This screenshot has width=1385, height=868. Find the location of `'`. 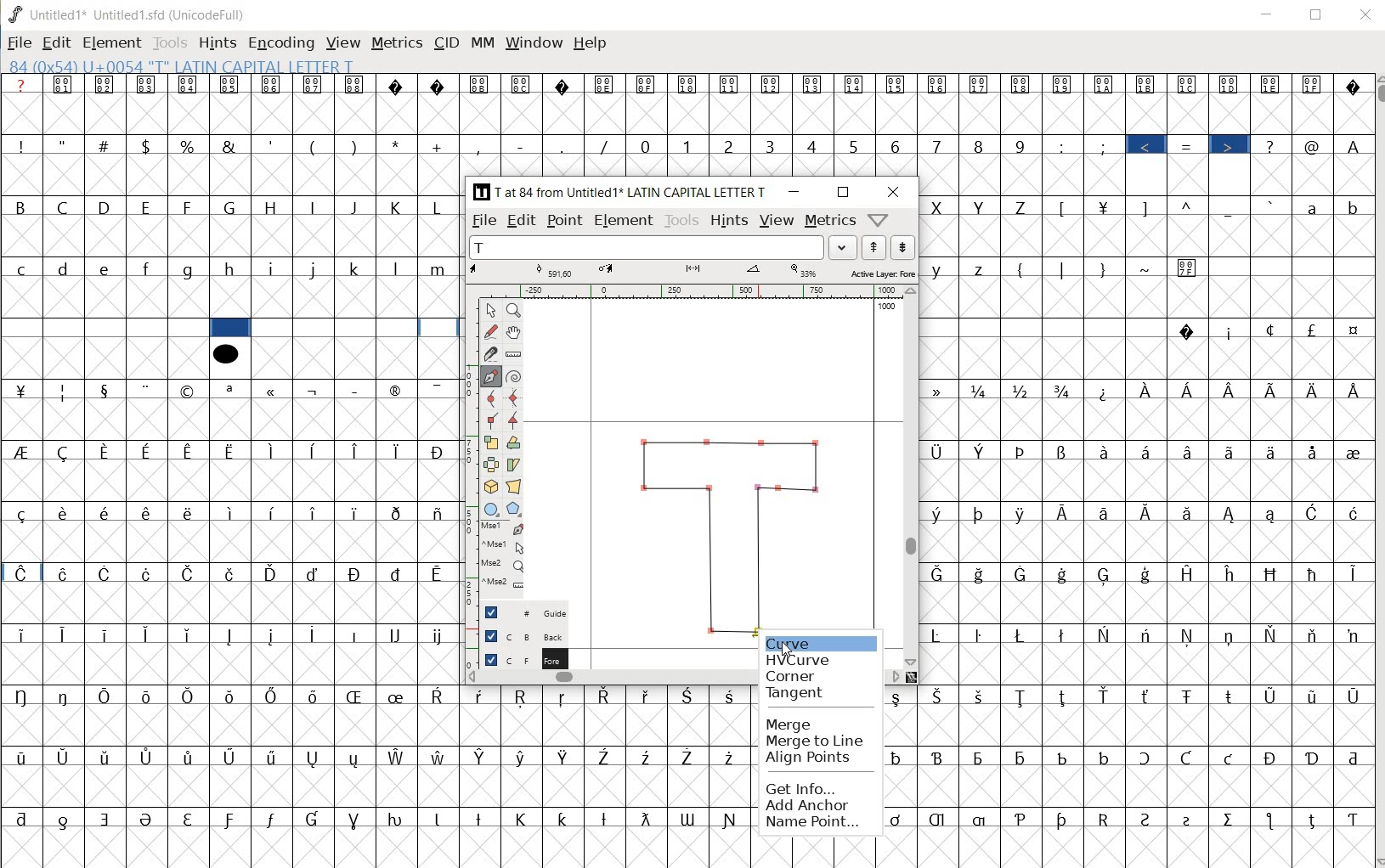

' is located at coordinates (270, 145).